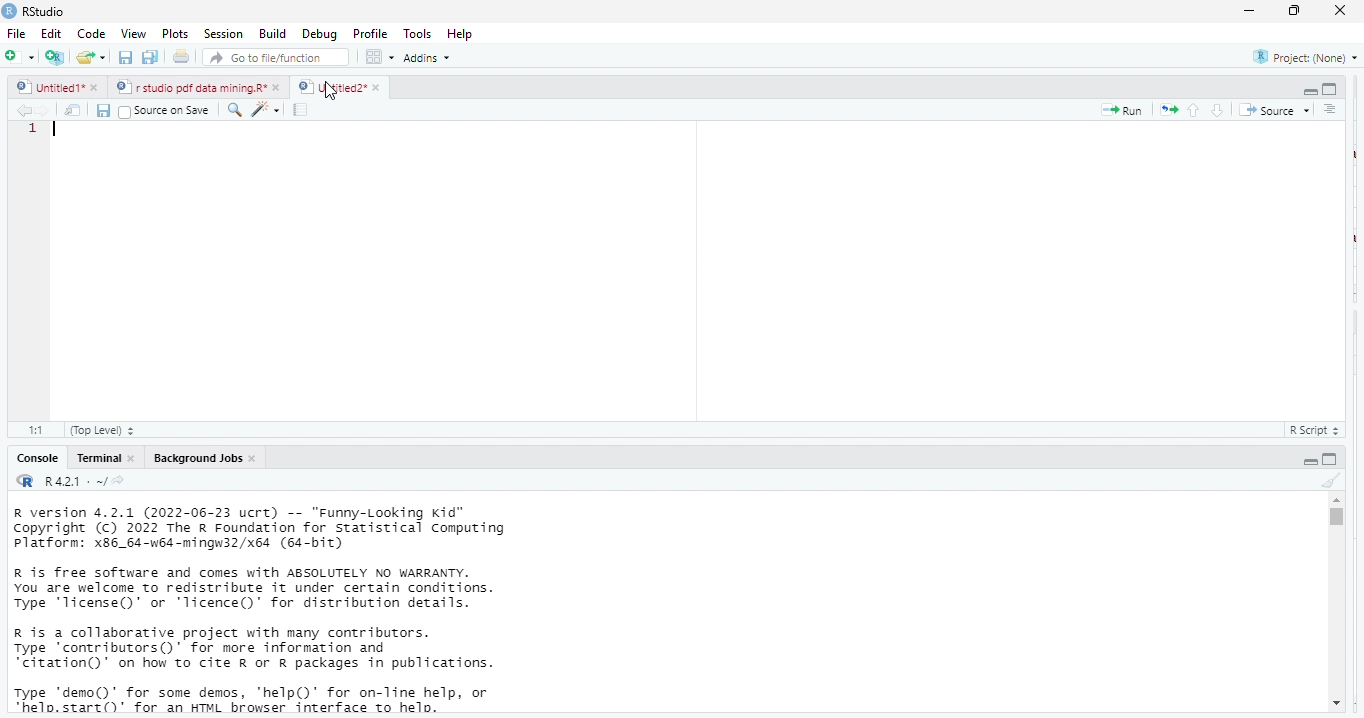 The width and height of the screenshot is (1364, 718). Describe the element at coordinates (273, 33) in the screenshot. I see `build` at that location.